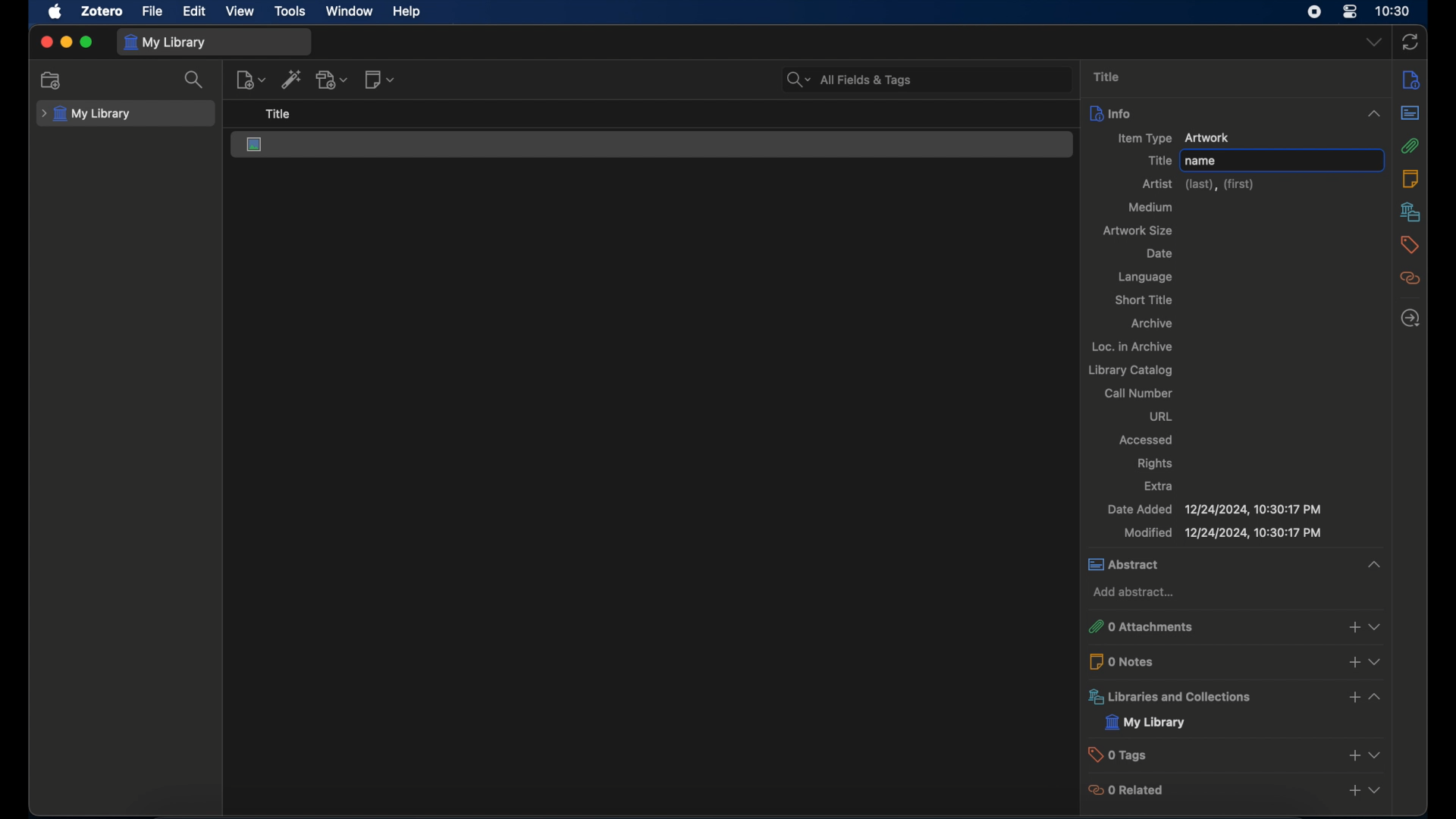  What do you see at coordinates (1134, 592) in the screenshot?
I see `add abstract` at bounding box center [1134, 592].